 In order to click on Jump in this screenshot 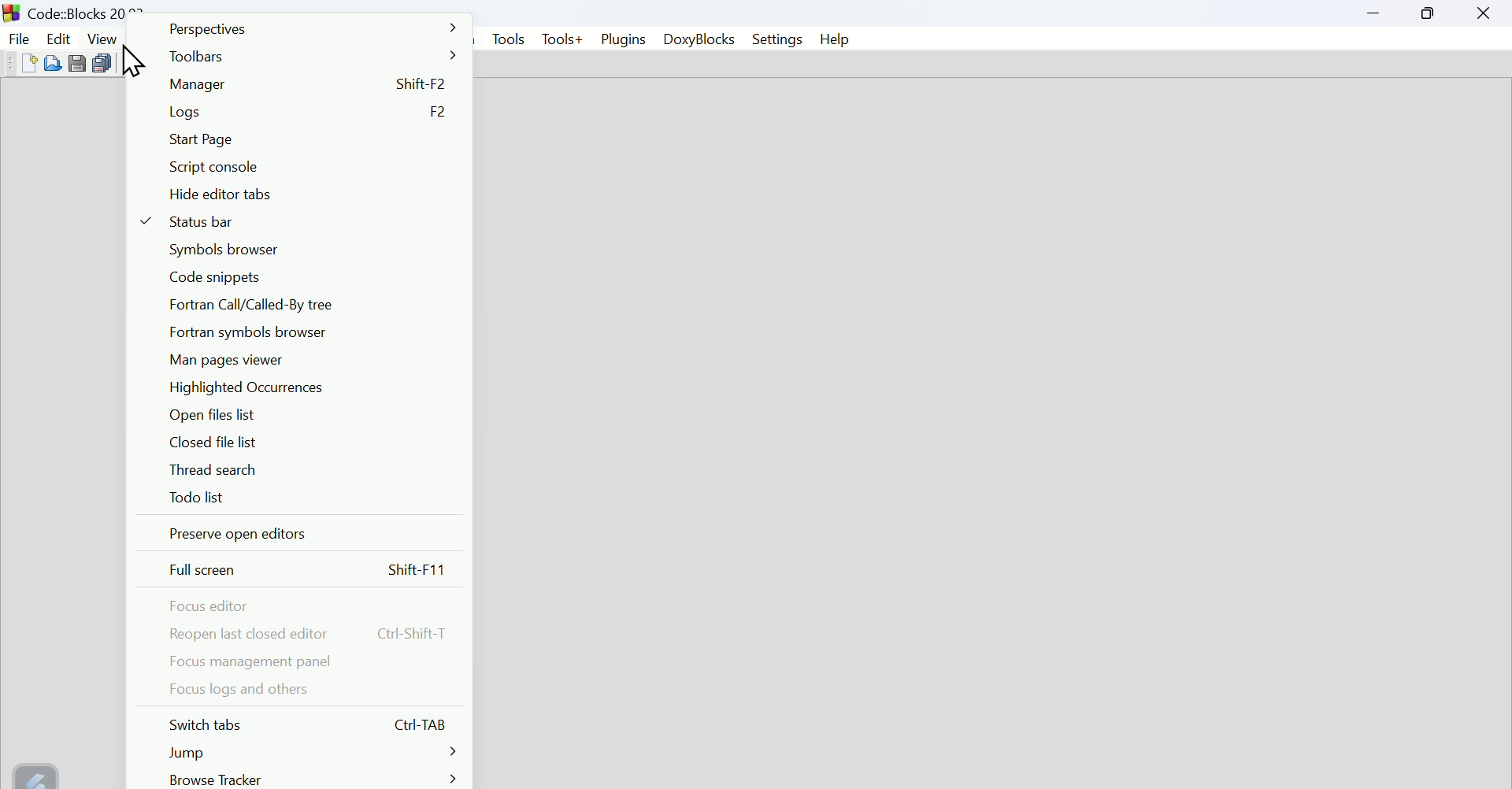, I will do `click(315, 754)`.